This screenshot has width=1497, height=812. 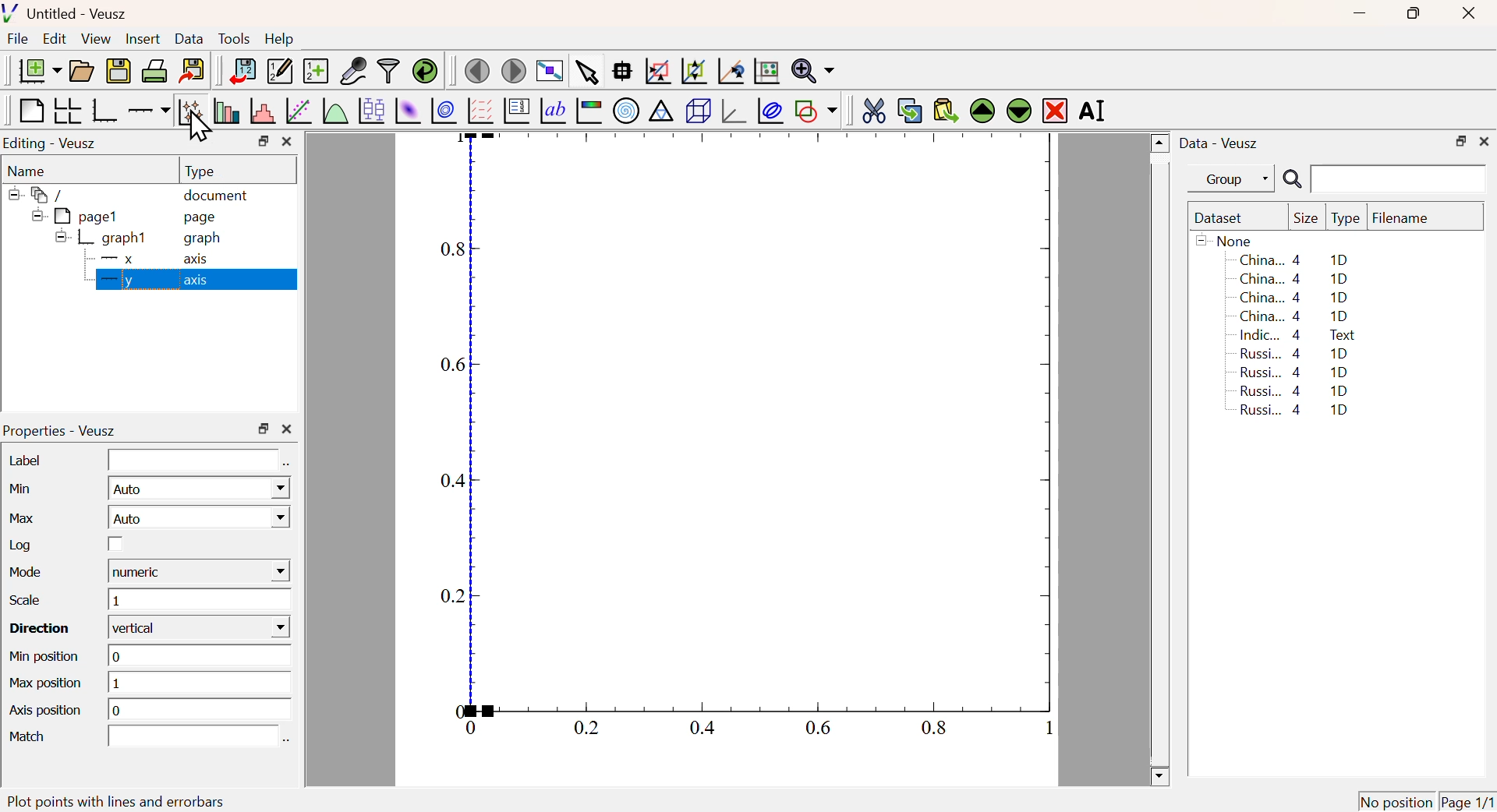 What do you see at coordinates (141, 40) in the screenshot?
I see `Insert` at bounding box center [141, 40].